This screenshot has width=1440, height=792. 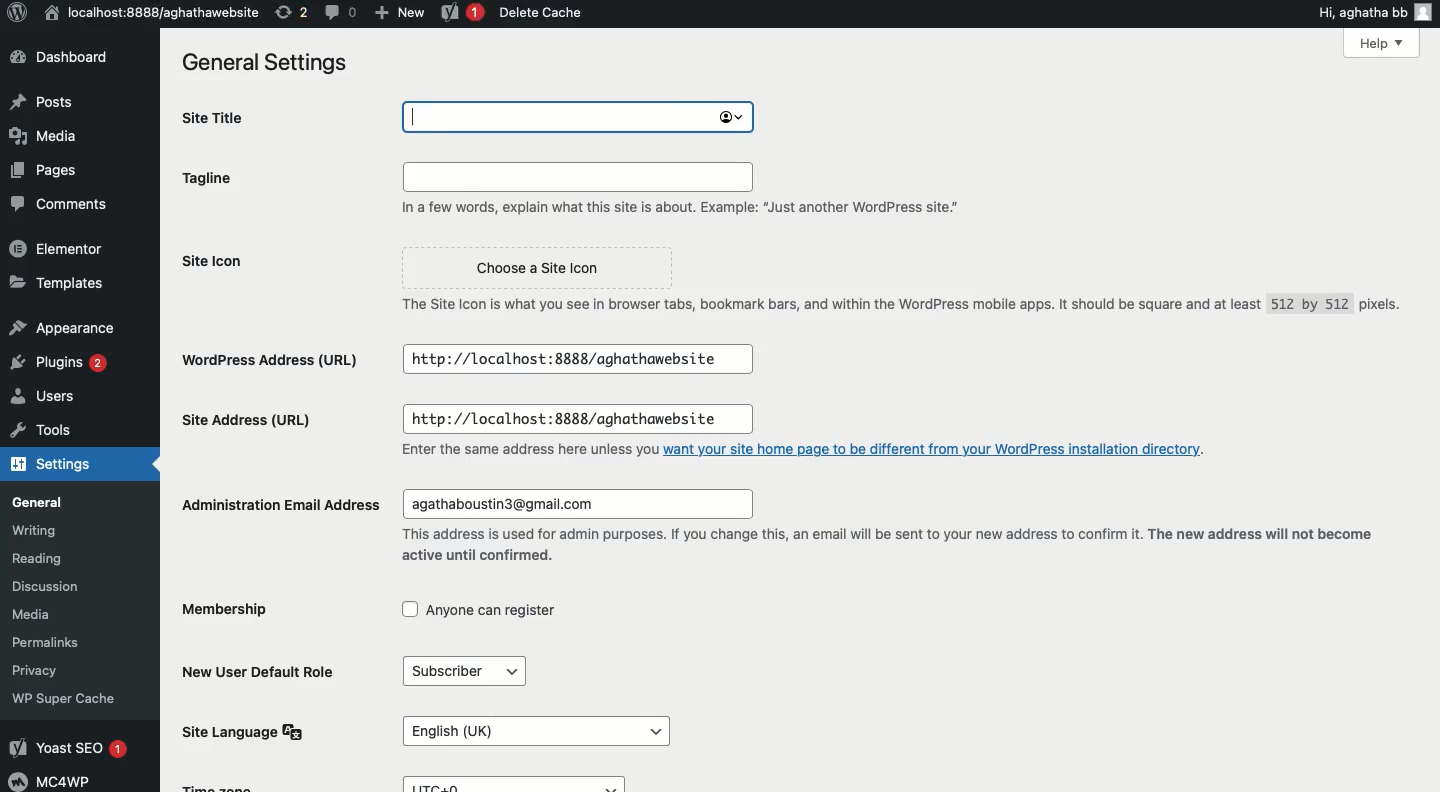 What do you see at coordinates (56, 282) in the screenshot?
I see `Templates` at bounding box center [56, 282].